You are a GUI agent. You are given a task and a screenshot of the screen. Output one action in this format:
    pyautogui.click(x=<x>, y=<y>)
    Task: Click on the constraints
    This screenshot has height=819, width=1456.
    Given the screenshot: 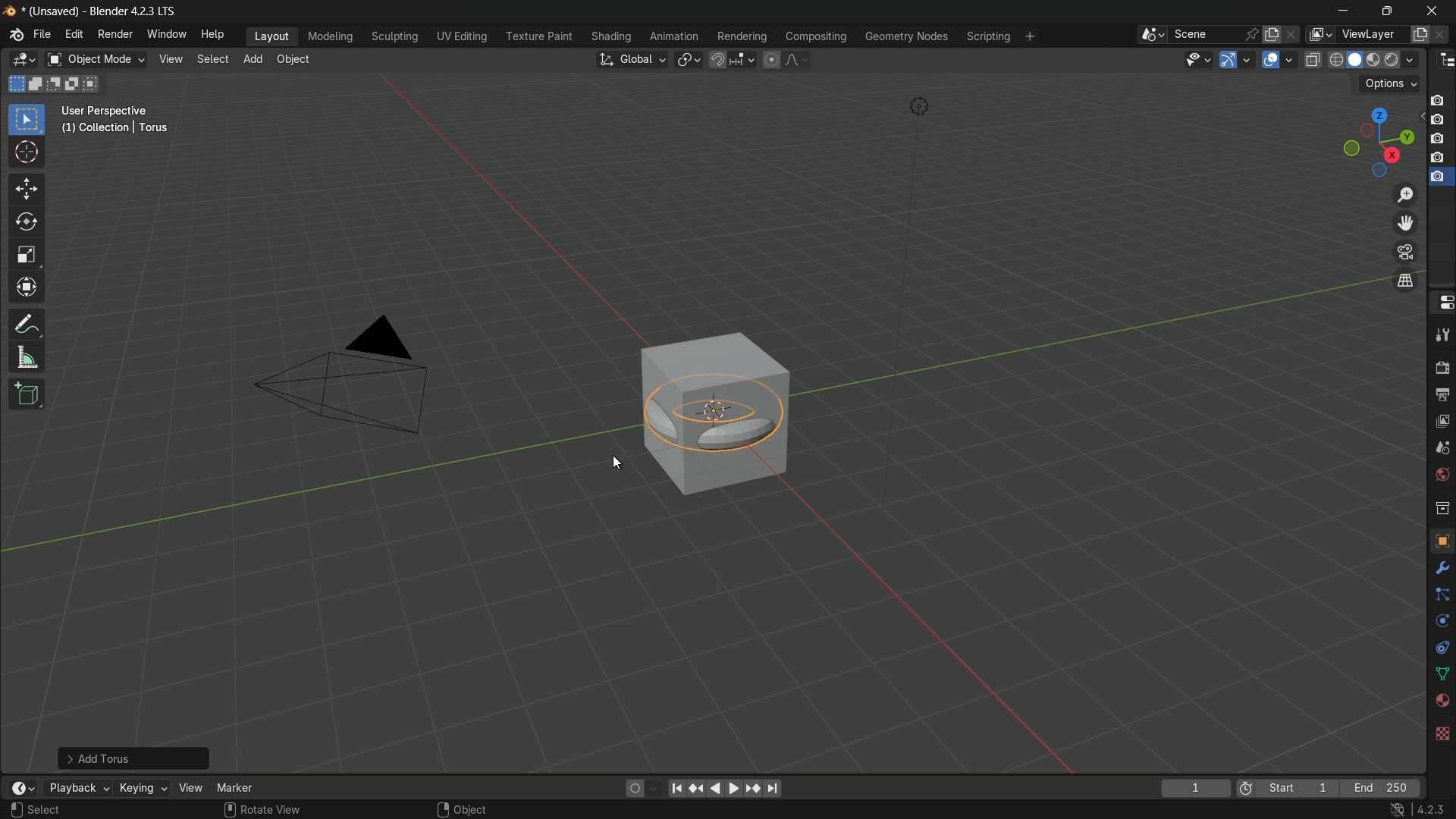 What is the action you would take?
    pyautogui.click(x=1441, y=648)
    